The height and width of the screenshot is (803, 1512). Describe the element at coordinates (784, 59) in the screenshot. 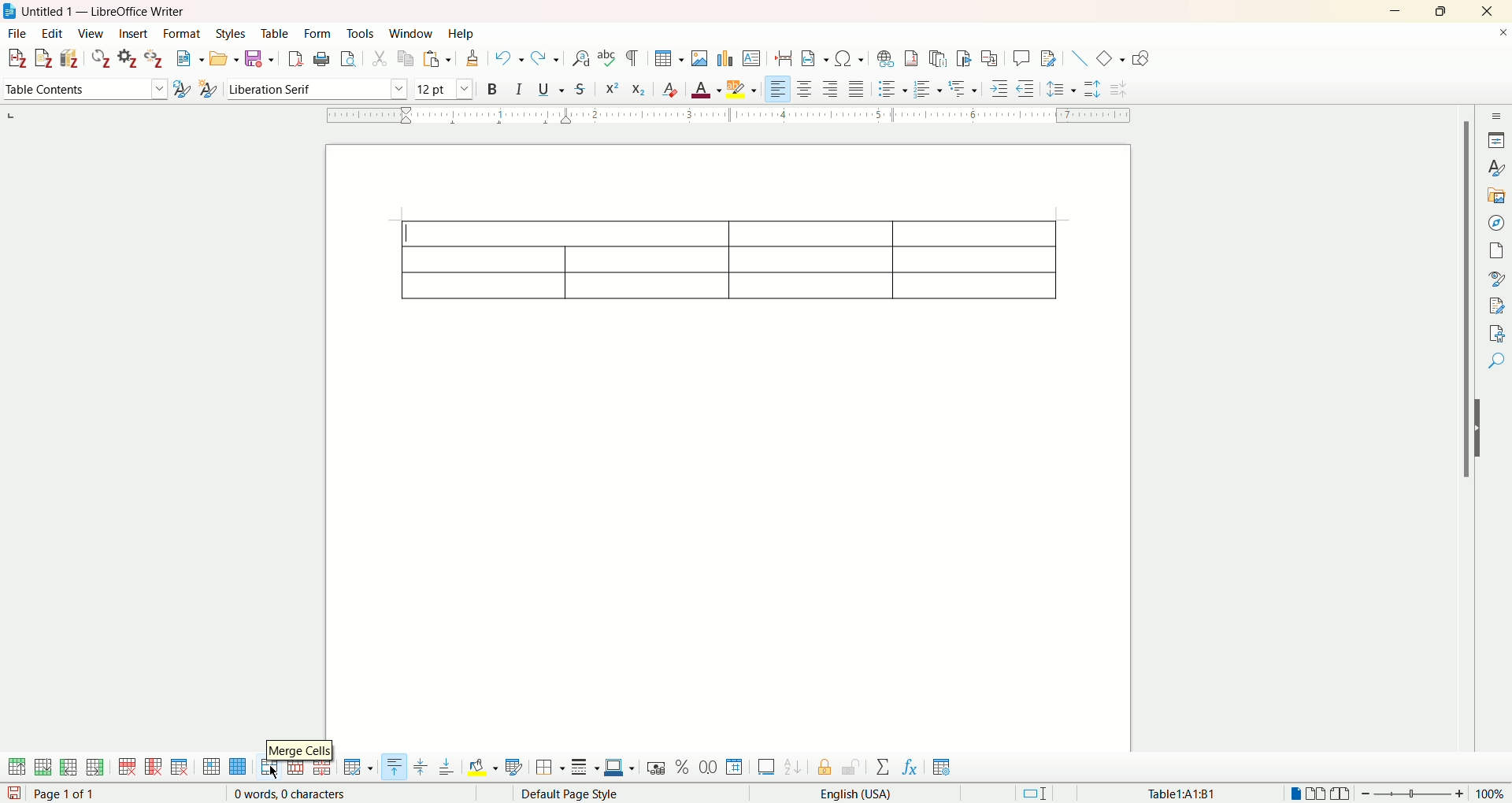

I see `insert page break` at that location.